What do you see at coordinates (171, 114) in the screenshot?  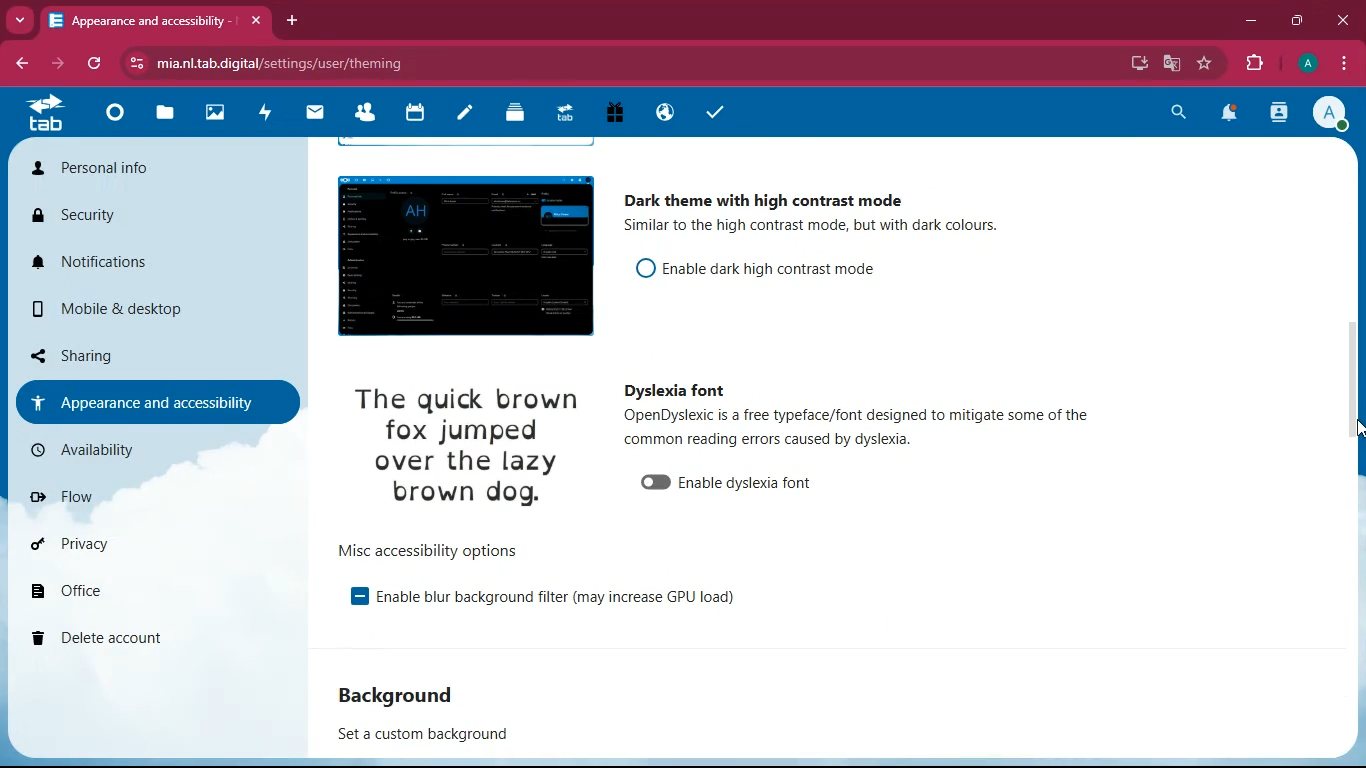 I see `files` at bounding box center [171, 114].